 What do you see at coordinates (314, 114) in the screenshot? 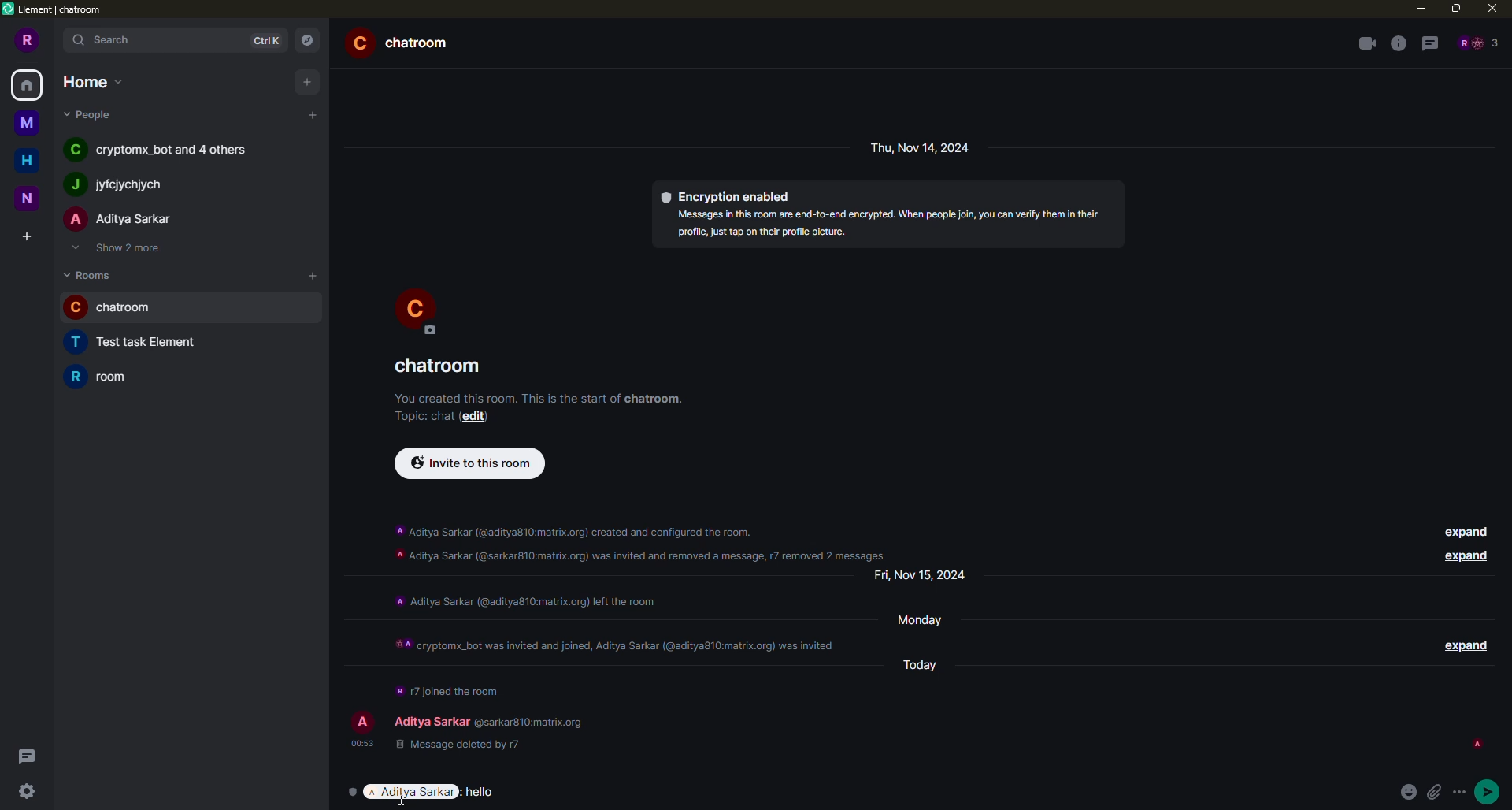
I see `add` at bounding box center [314, 114].